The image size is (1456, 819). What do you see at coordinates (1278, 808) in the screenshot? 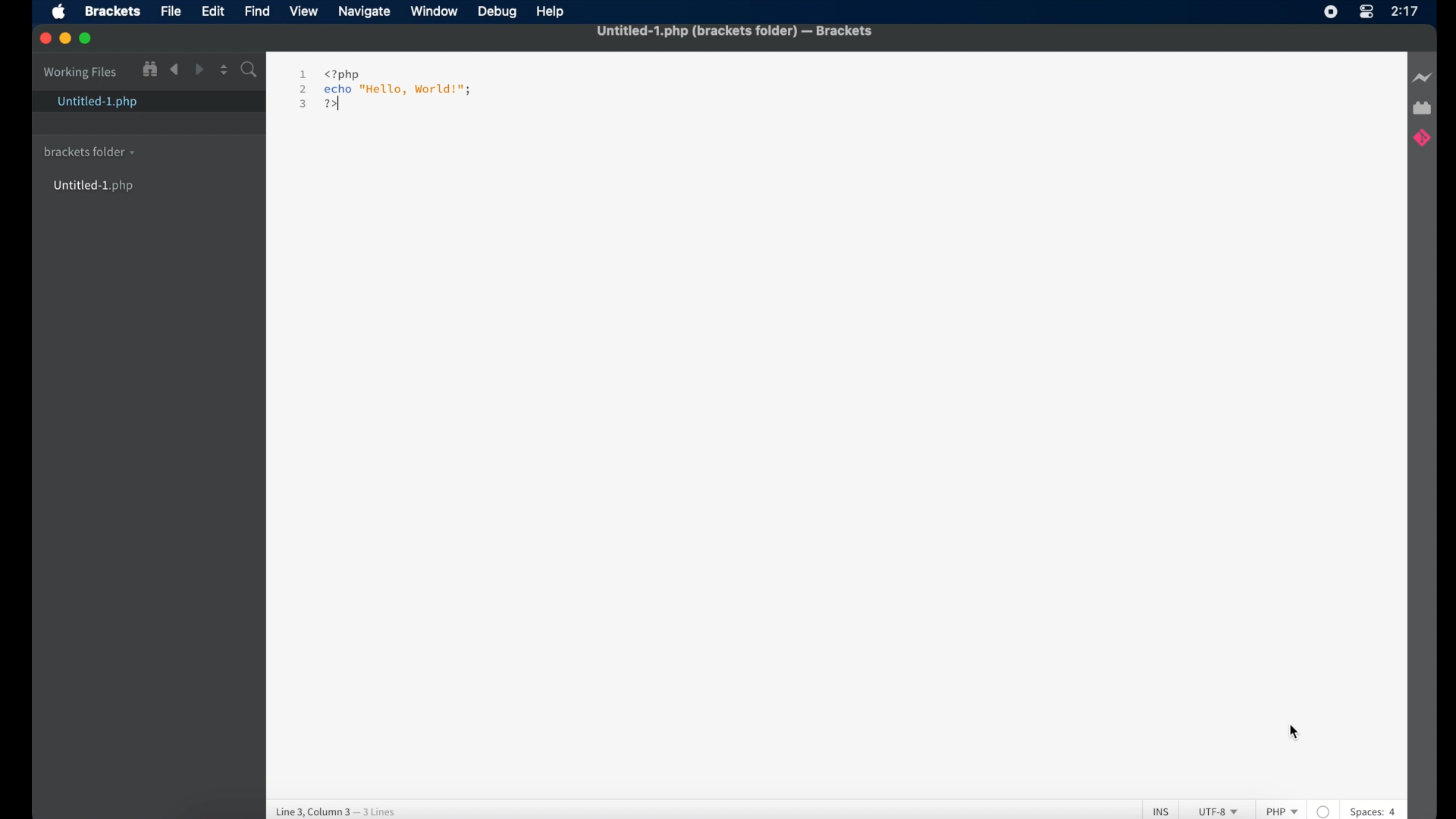
I see `HTML` at bounding box center [1278, 808].